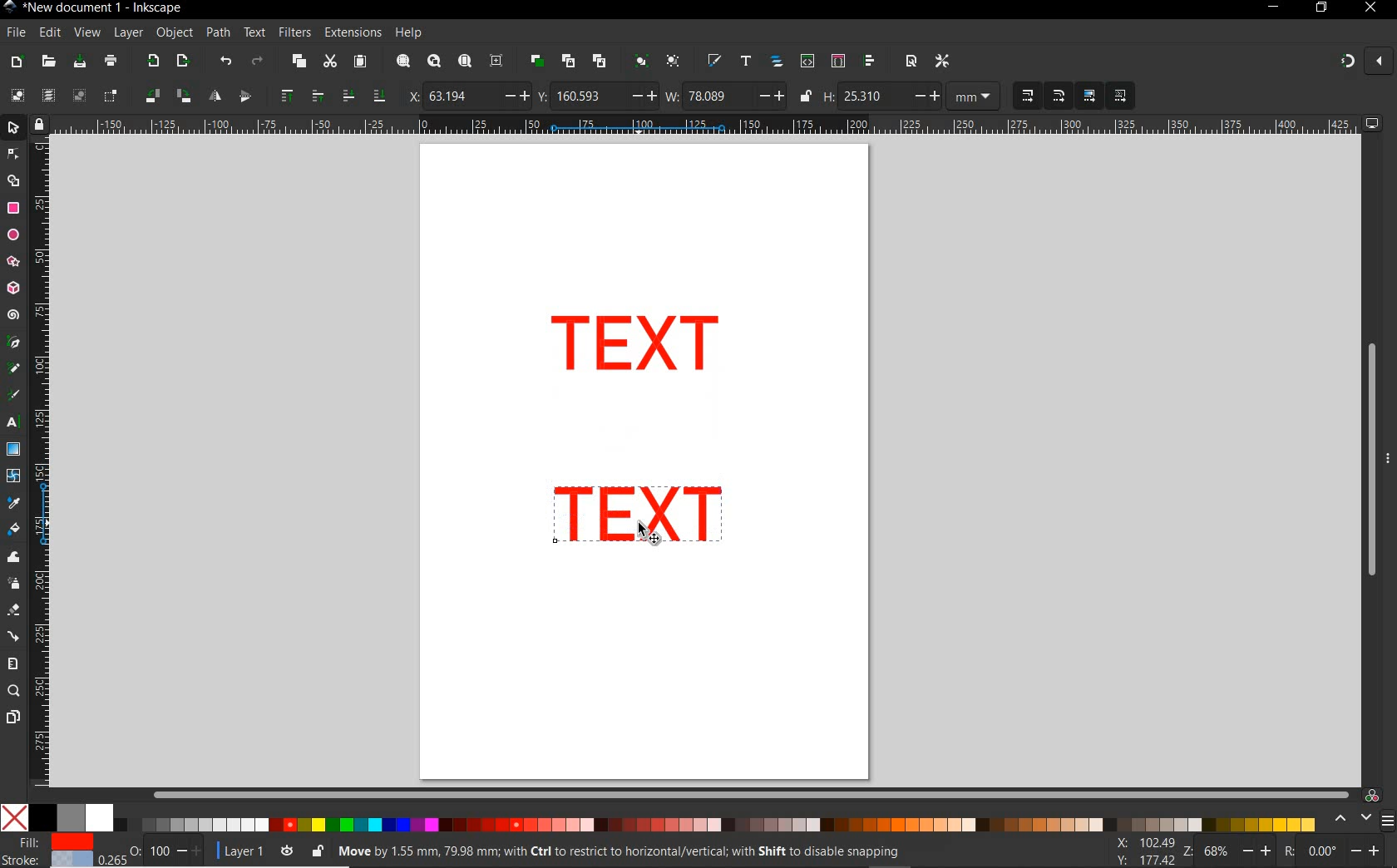 The image size is (1397, 868). Describe the element at coordinates (152, 62) in the screenshot. I see `import` at that location.